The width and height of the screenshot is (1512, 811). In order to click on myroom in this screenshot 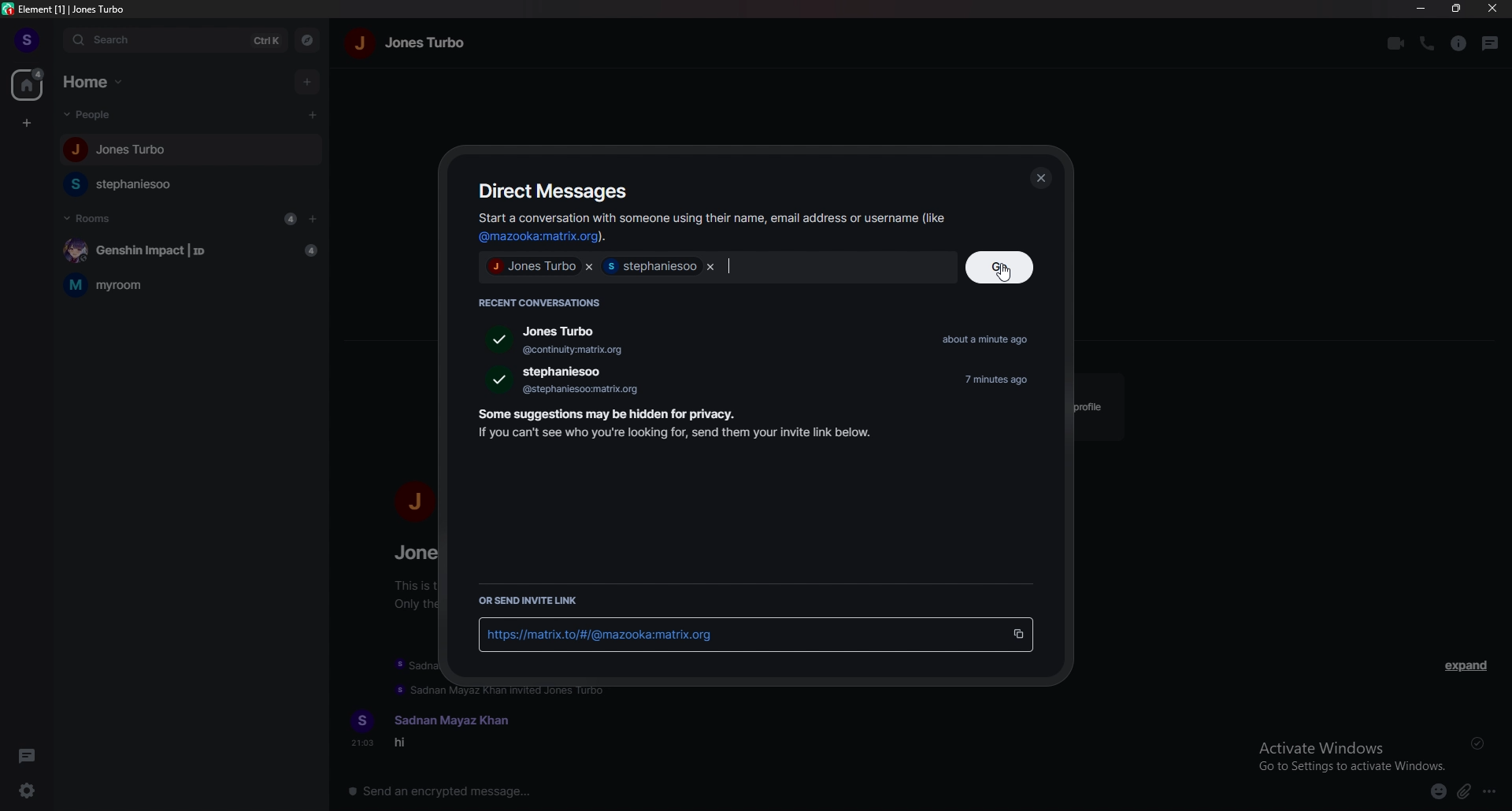, I will do `click(191, 284)`.